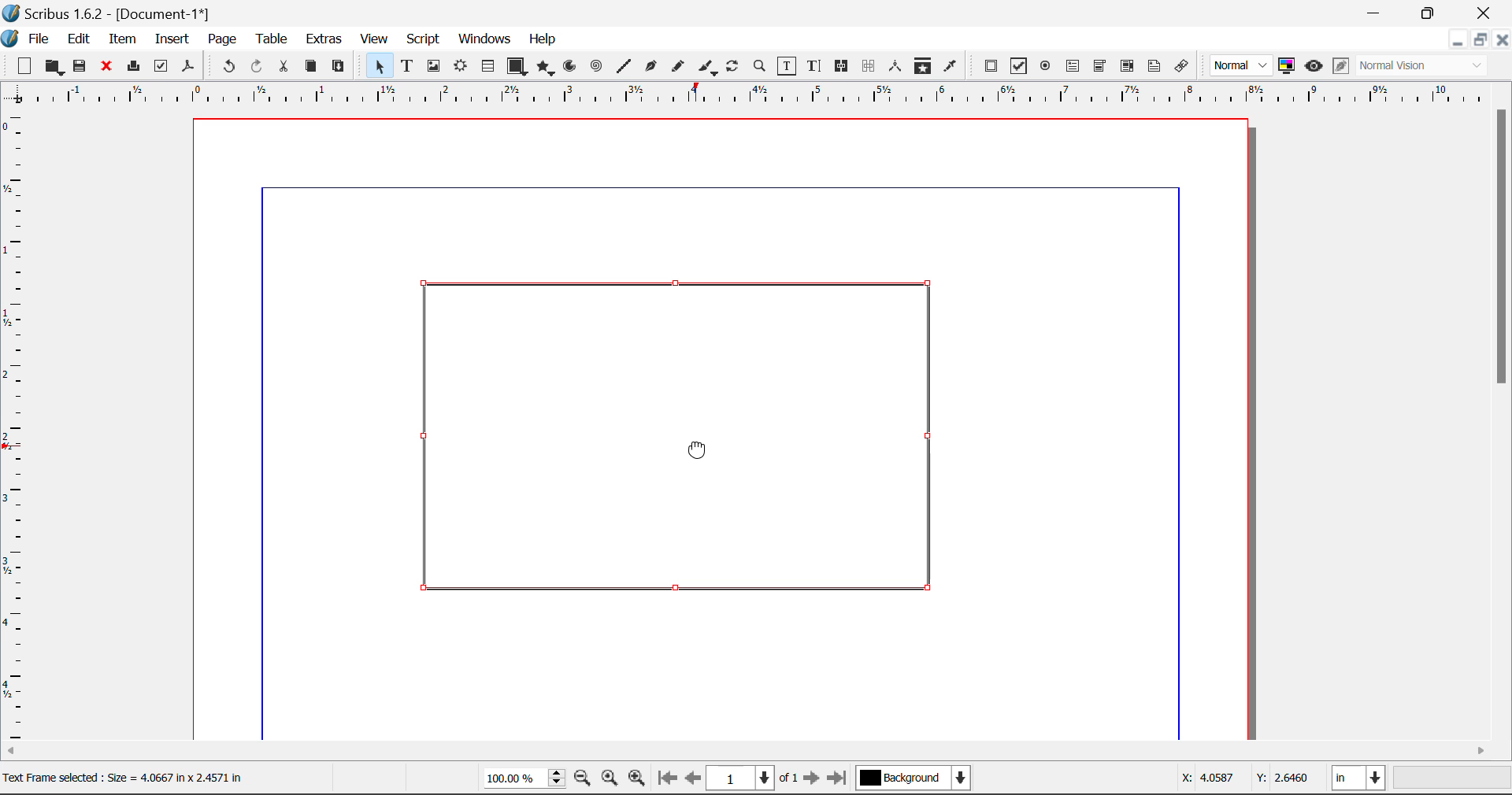 This screenshot has height=795, width=1512. Describe the element at coordinates (704, 67) in the screenshot. I see `Calligraphic Line` at that location.